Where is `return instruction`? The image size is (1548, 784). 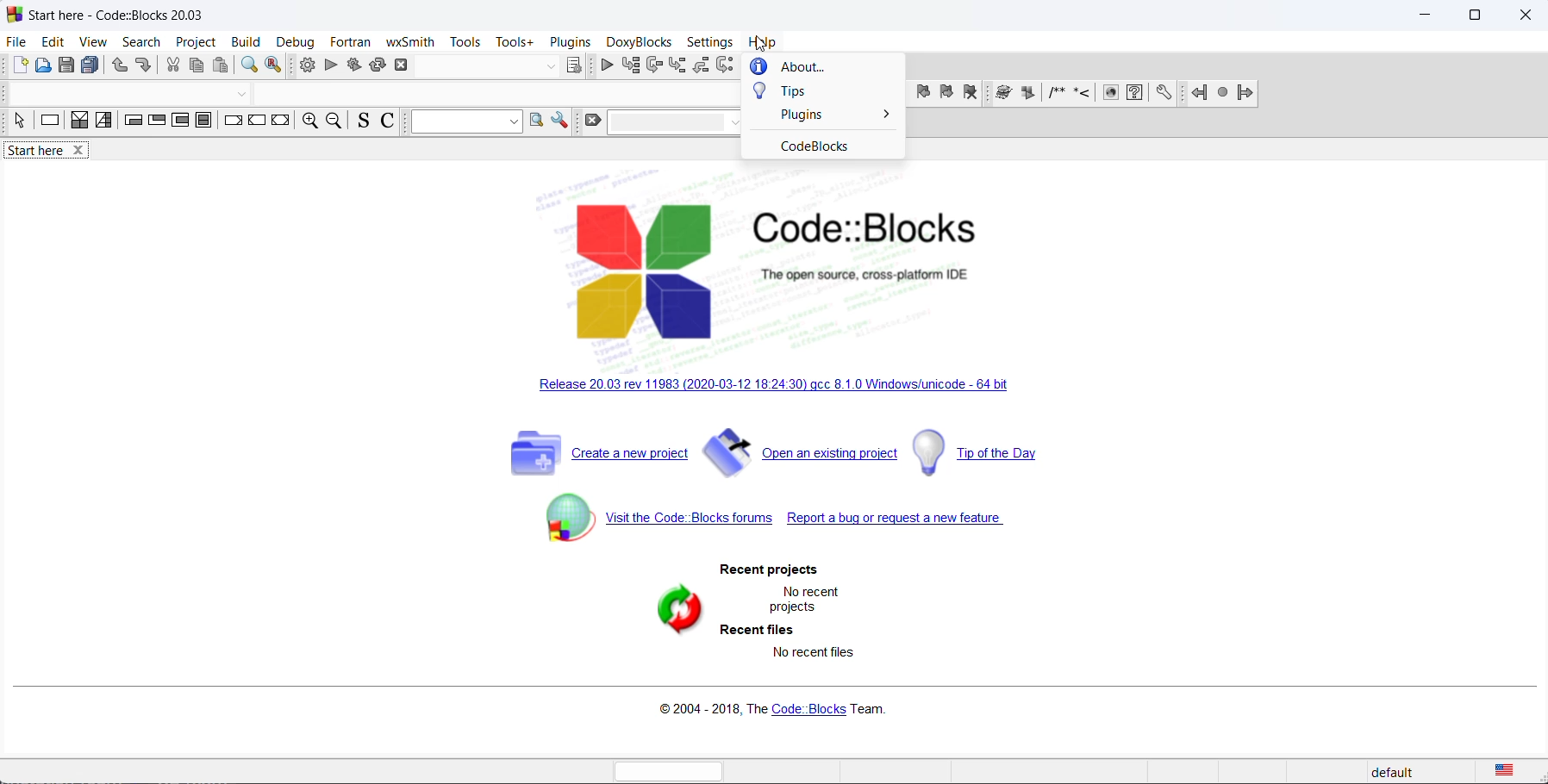
return instruction is located at coordinates (282, 122).